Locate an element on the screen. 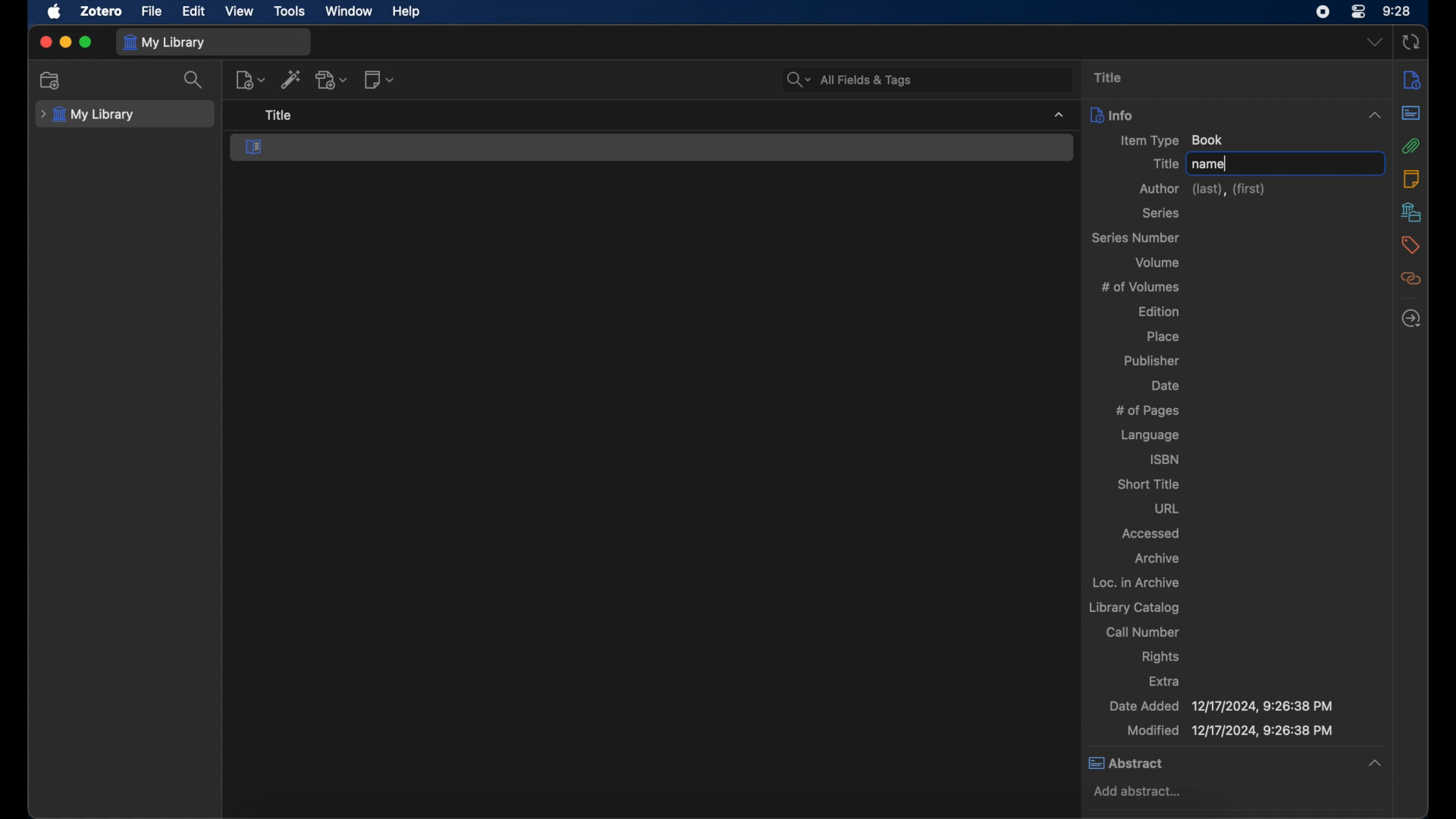 The image size is (1456, 819). edit is located at coordinates (195, 11).